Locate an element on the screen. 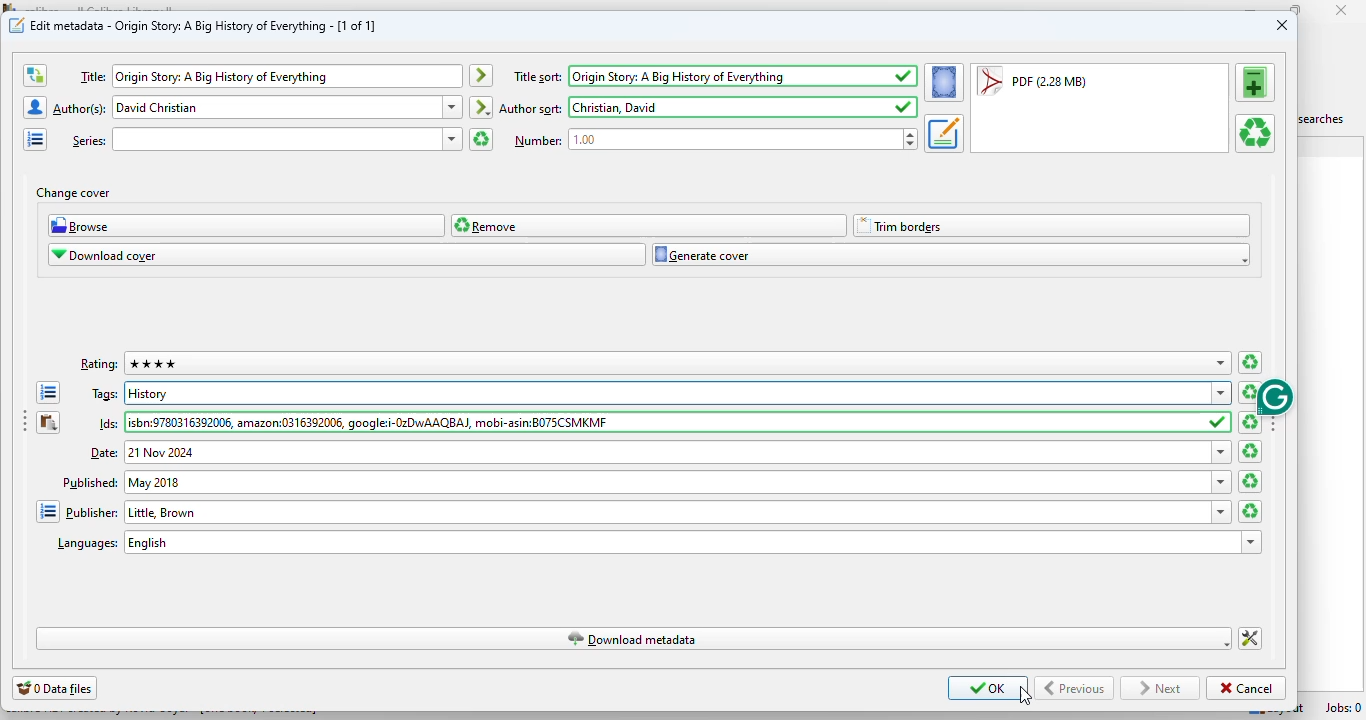 This screenshot has width=1366, height=720. dropdown is located at coordinates (1222, 452).